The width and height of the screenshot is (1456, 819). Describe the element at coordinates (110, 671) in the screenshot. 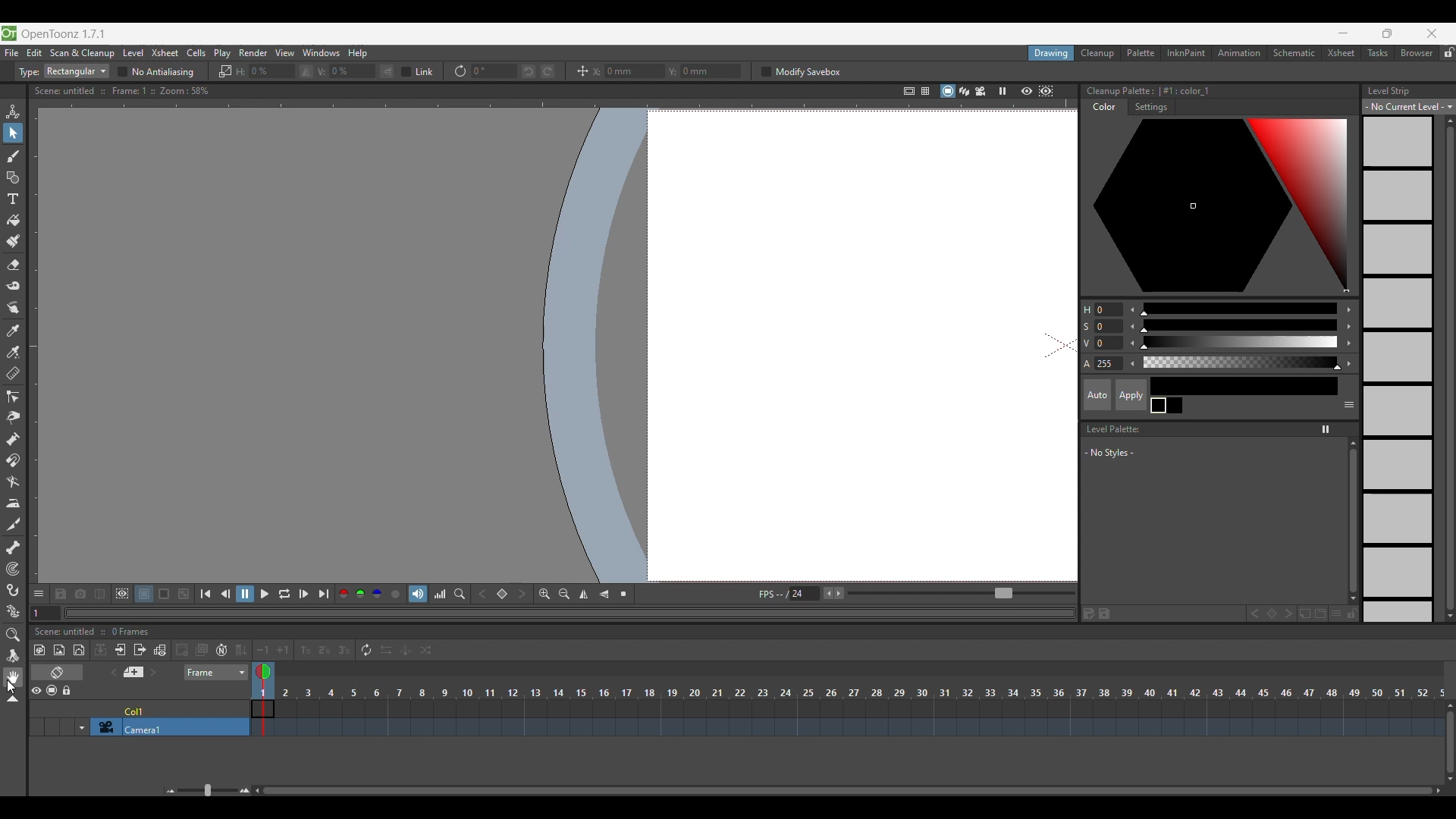

I see `Previous memo` at that location.